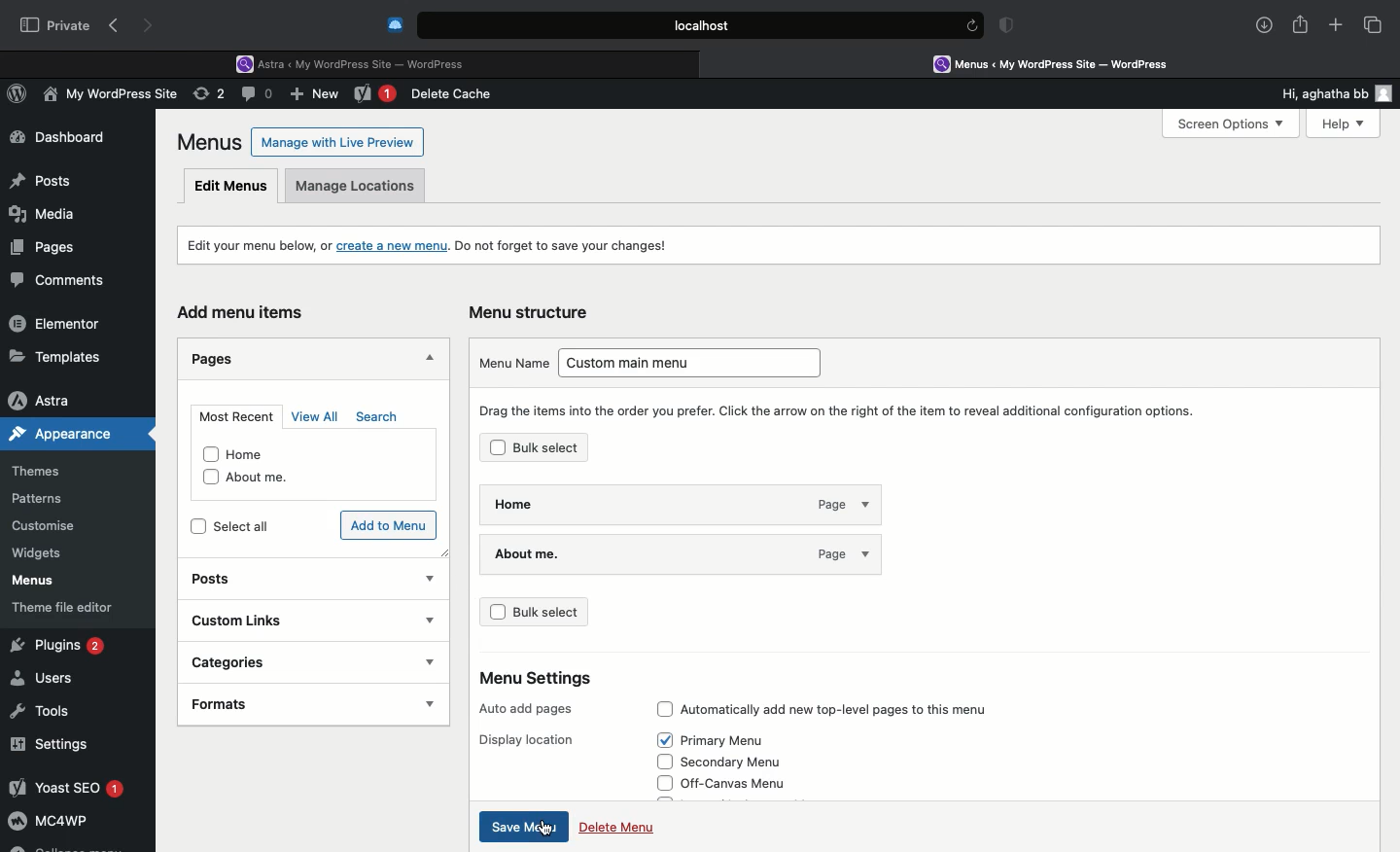 Image resolution: width=1400 pixels, height=852 pixels. I want to click on Share, so click(1301, 25).